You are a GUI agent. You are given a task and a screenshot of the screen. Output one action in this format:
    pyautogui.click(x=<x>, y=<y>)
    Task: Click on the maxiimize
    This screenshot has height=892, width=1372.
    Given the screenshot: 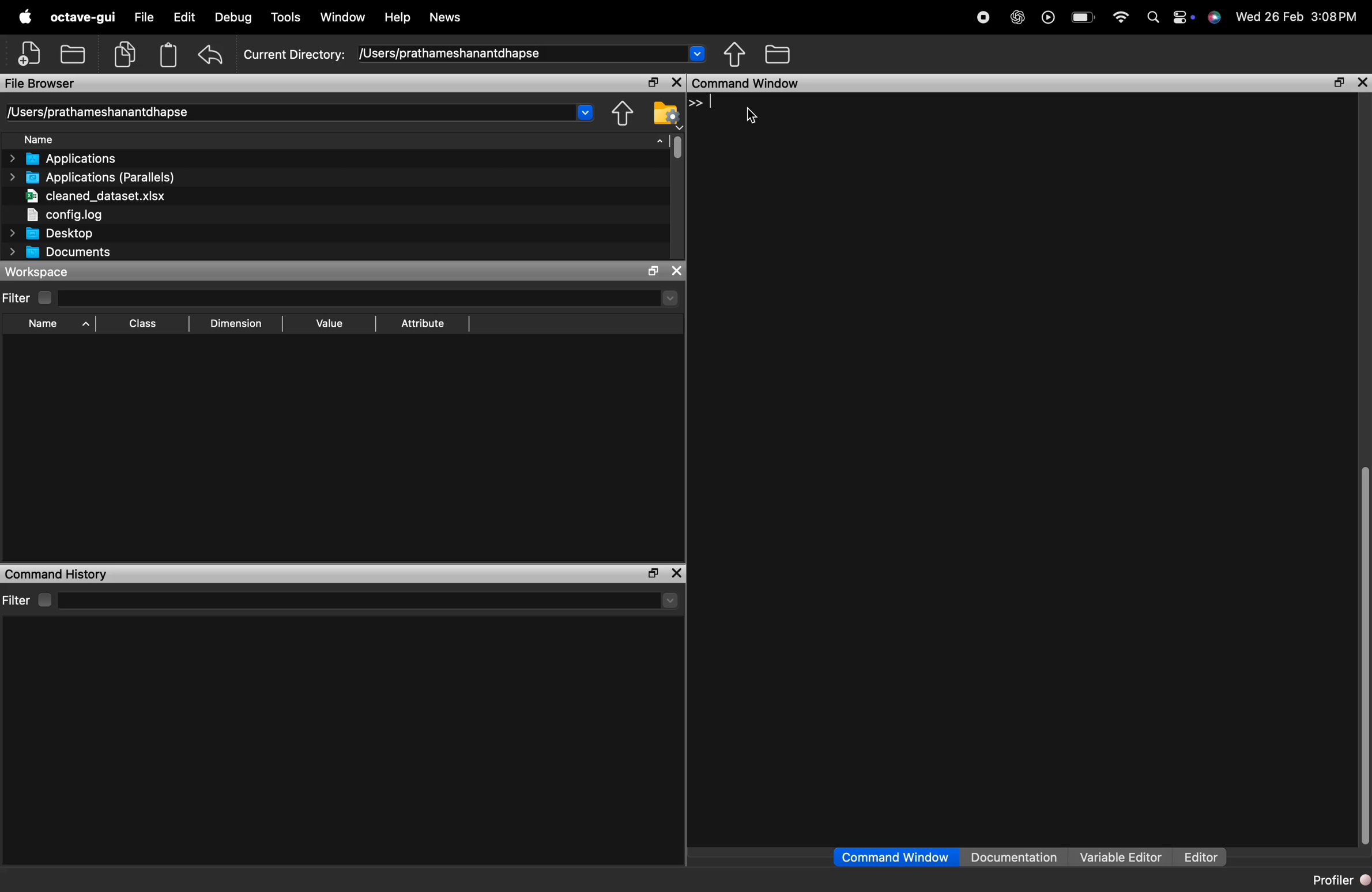 What is the action you would take?
    pyautogui.click(x=652, y=271)
    